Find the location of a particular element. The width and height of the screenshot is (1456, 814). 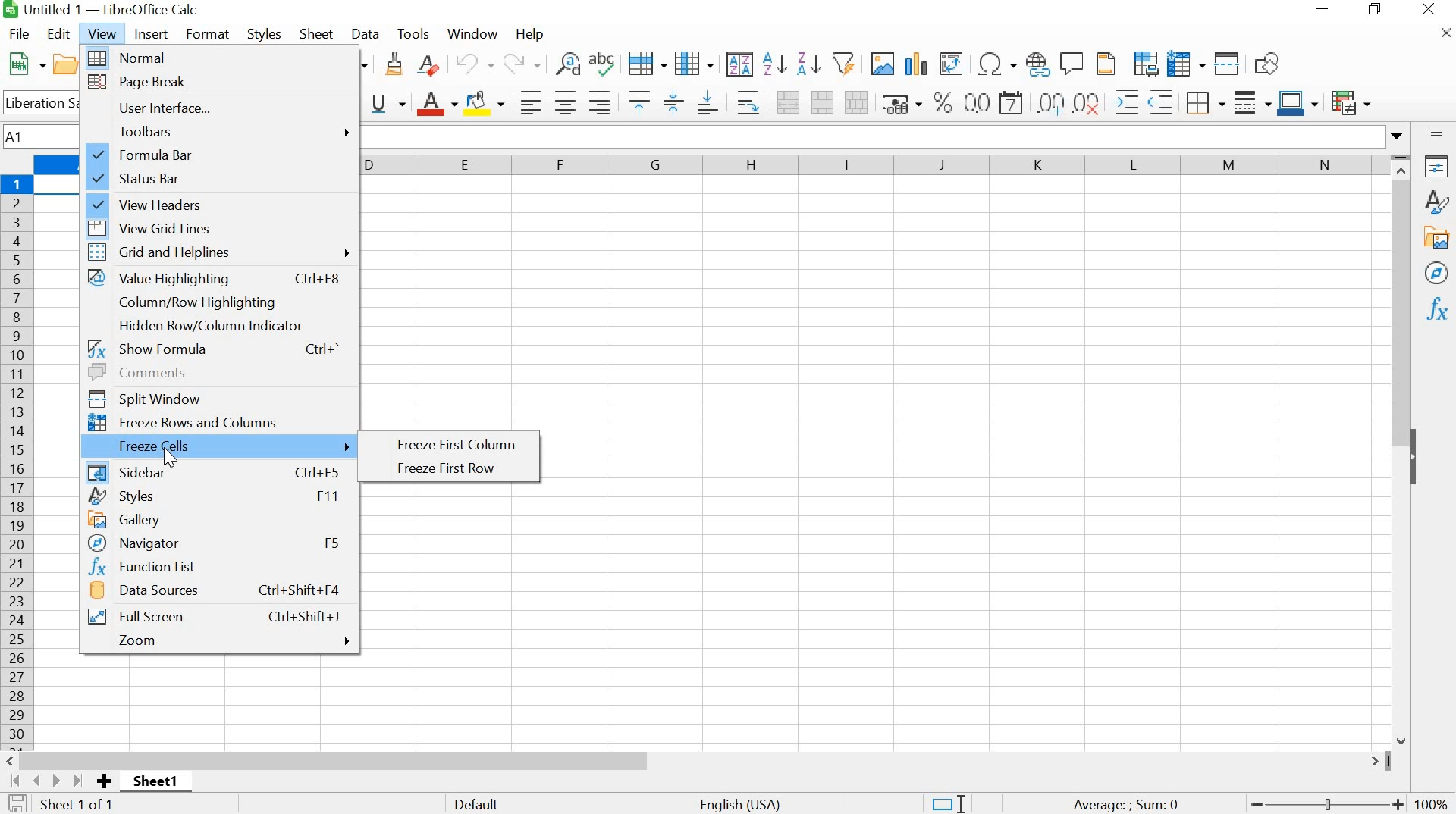

SPLIT WINDOW is located at coordinates (216, 396).